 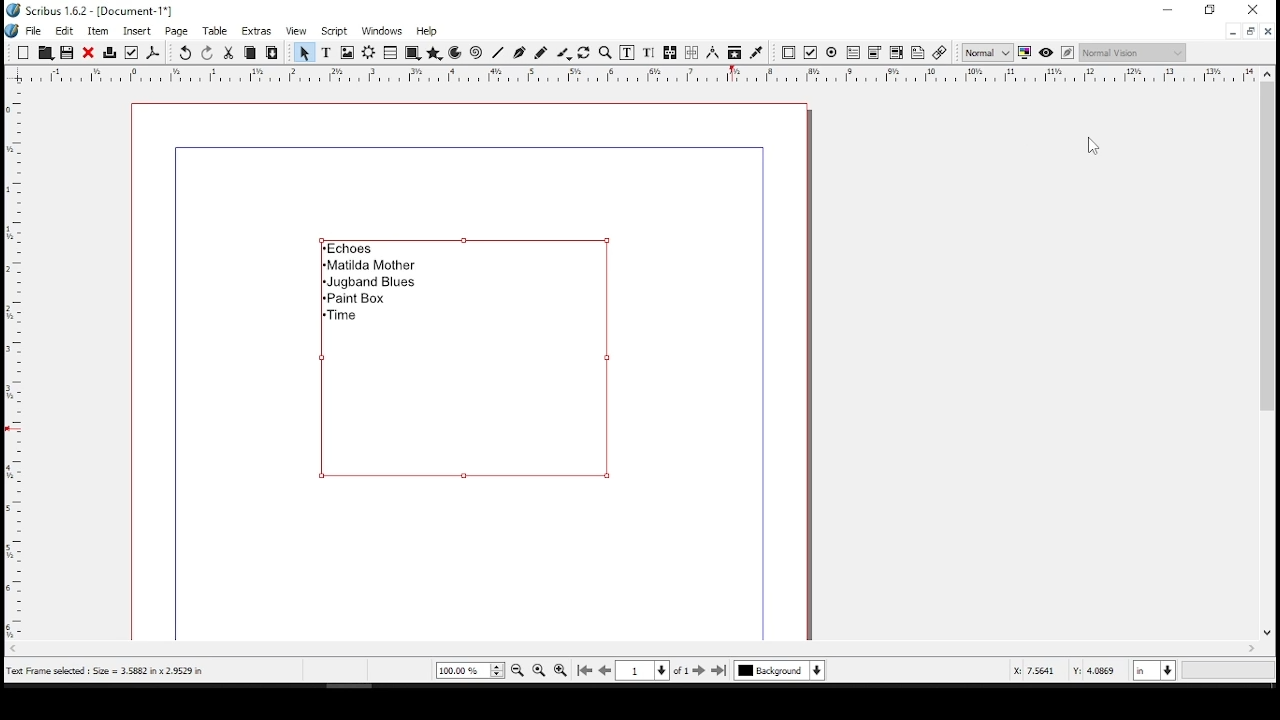 I want to click on script, so click(x=333, y=33).